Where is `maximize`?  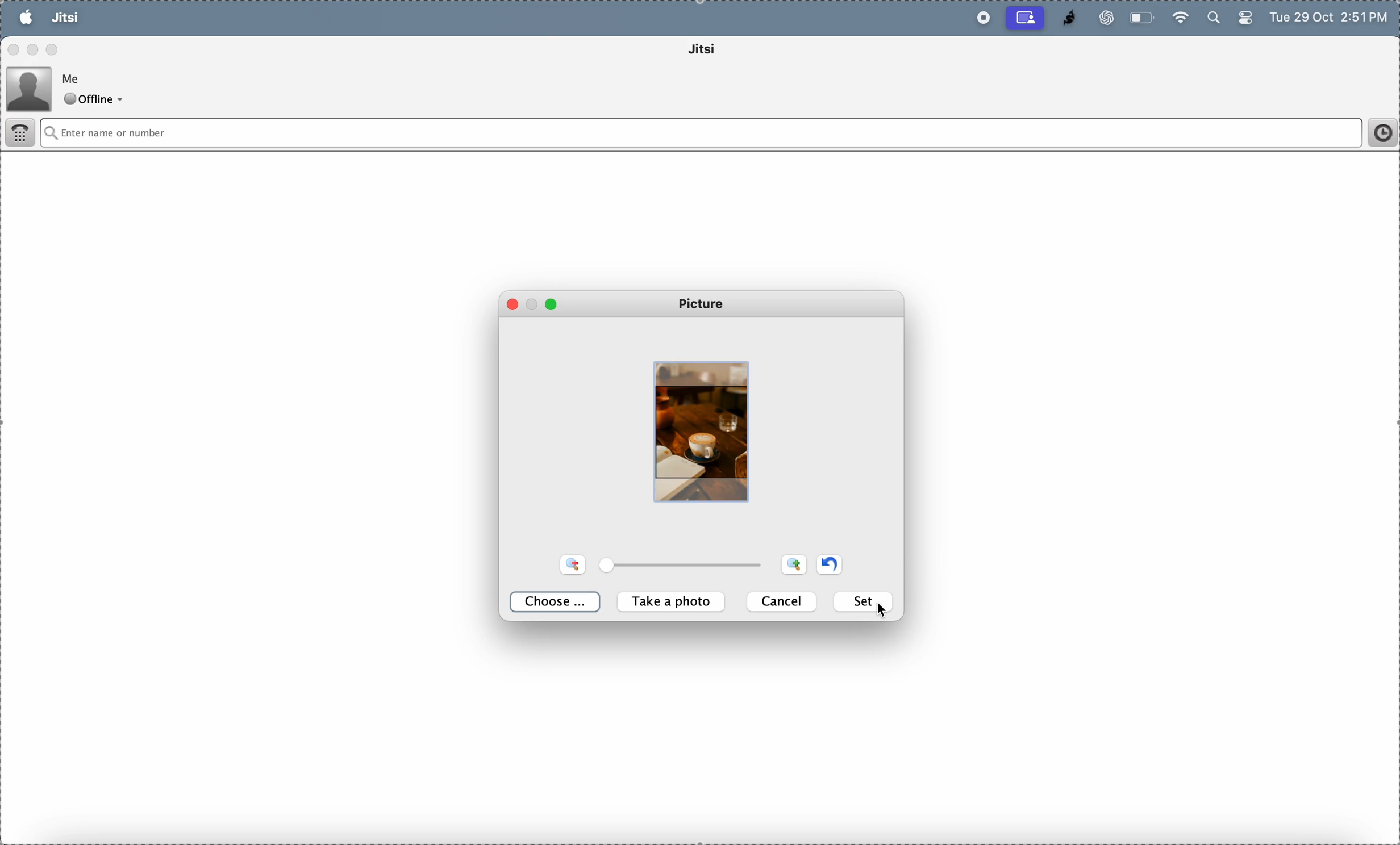
maximize is located at coordinates (552, 304).